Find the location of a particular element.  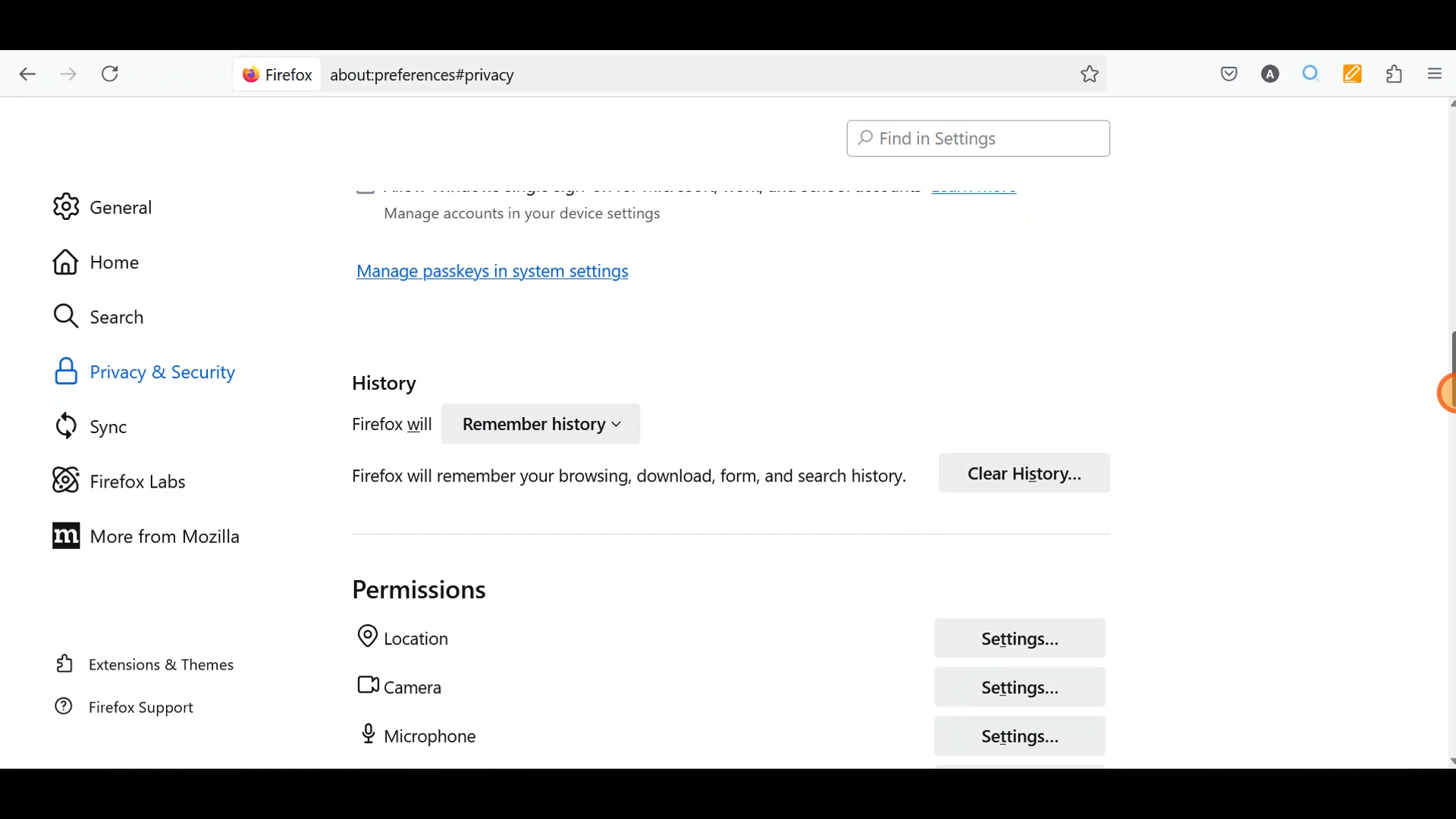

Extension & themes is located at coordinates (149, 667).